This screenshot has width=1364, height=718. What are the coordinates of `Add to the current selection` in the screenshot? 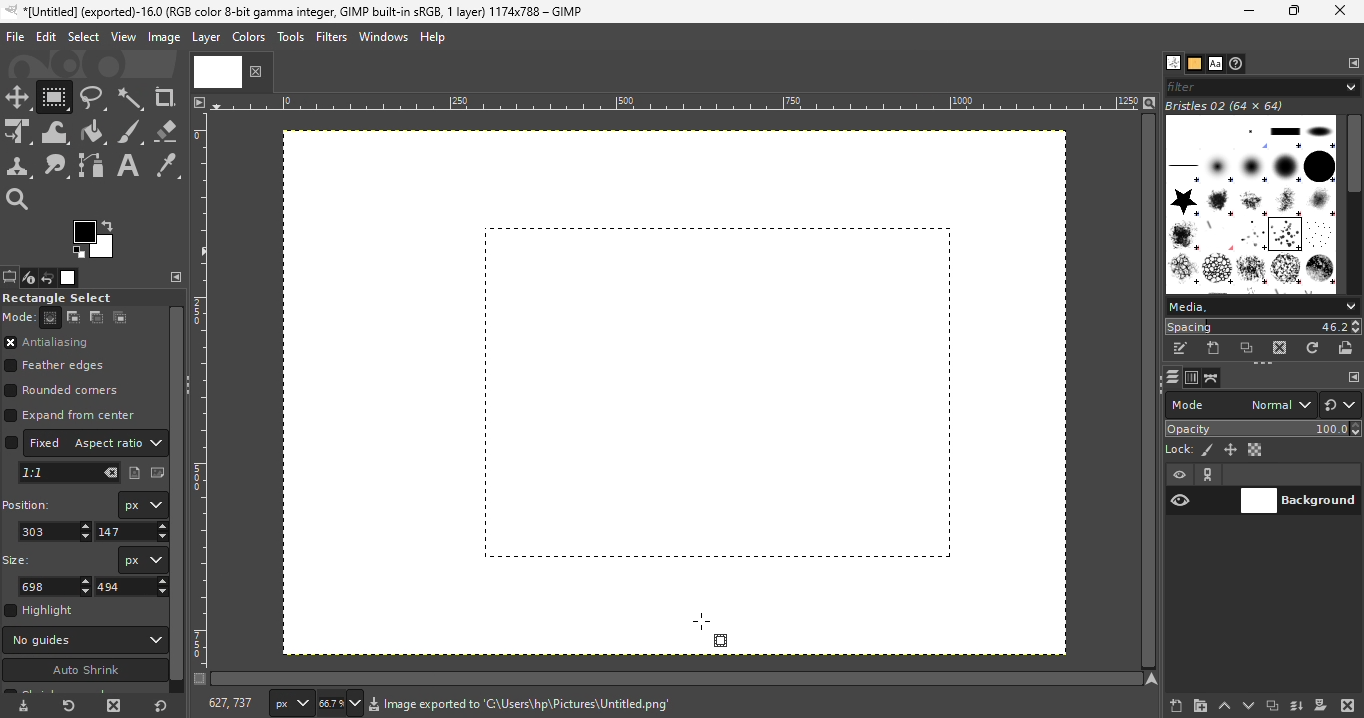 It's located at (75, 317).